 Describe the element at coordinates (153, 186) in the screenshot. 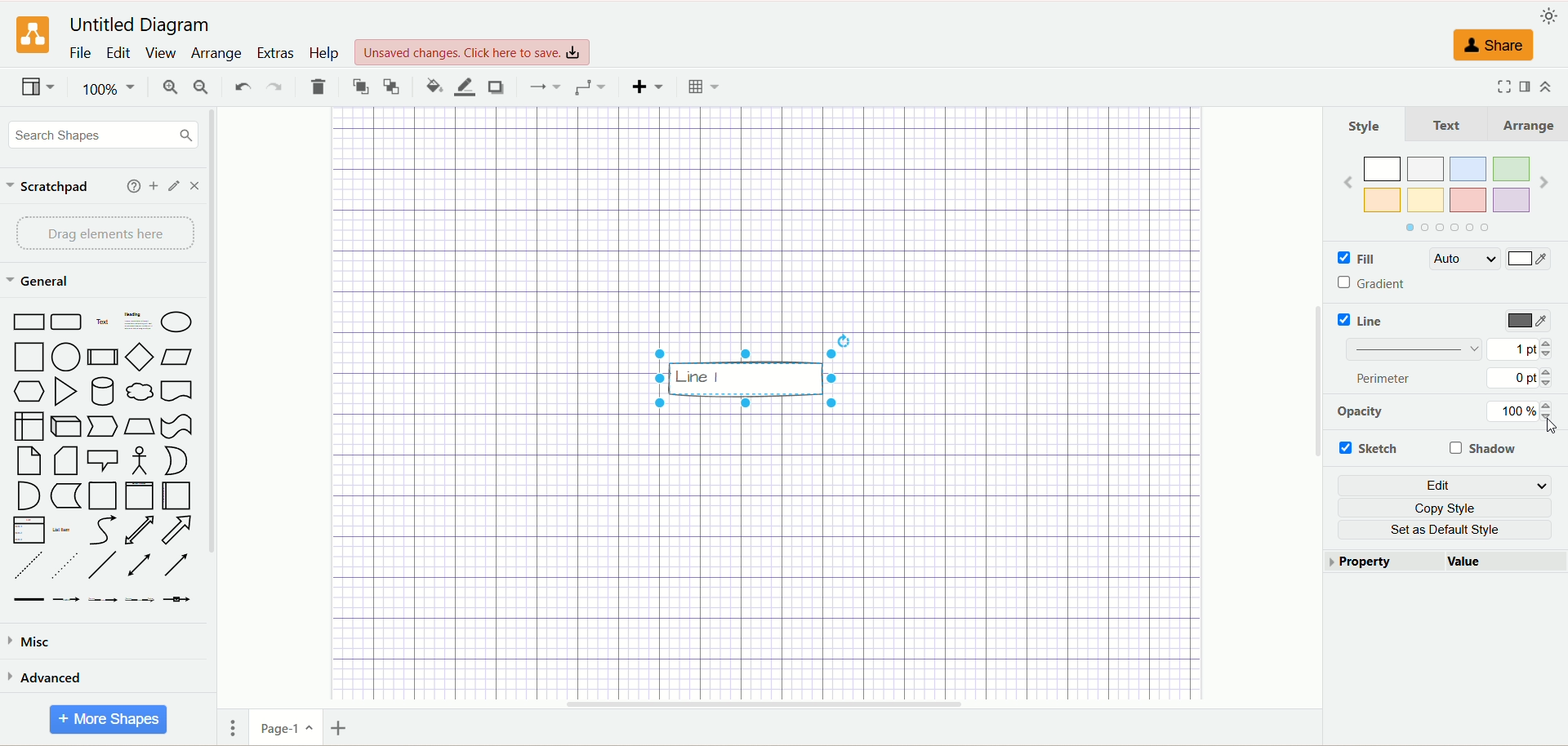

I see `add` at that location.